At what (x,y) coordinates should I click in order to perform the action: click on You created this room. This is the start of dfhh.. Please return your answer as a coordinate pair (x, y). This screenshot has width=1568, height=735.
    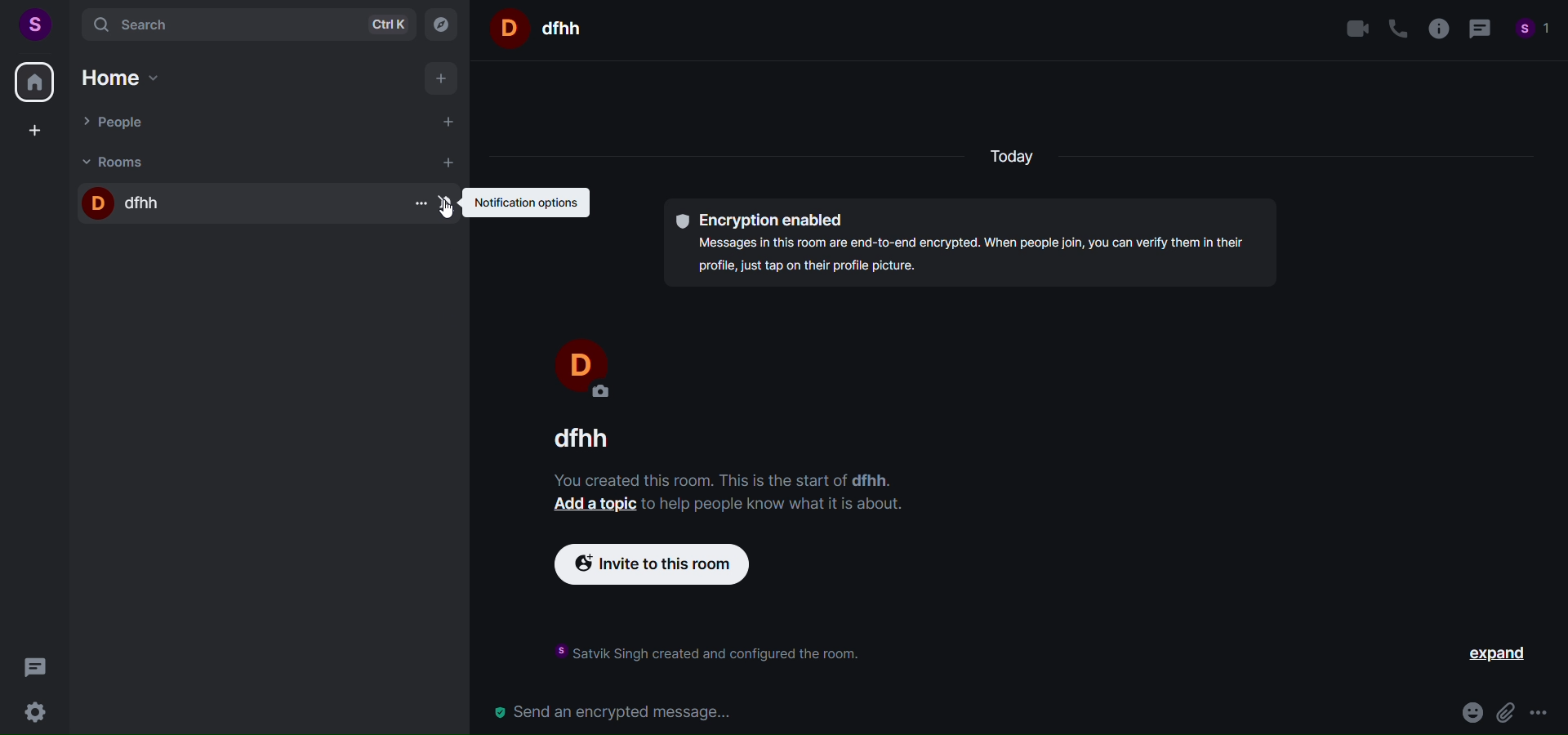
    Looking at the image, I should click on (718, 479).